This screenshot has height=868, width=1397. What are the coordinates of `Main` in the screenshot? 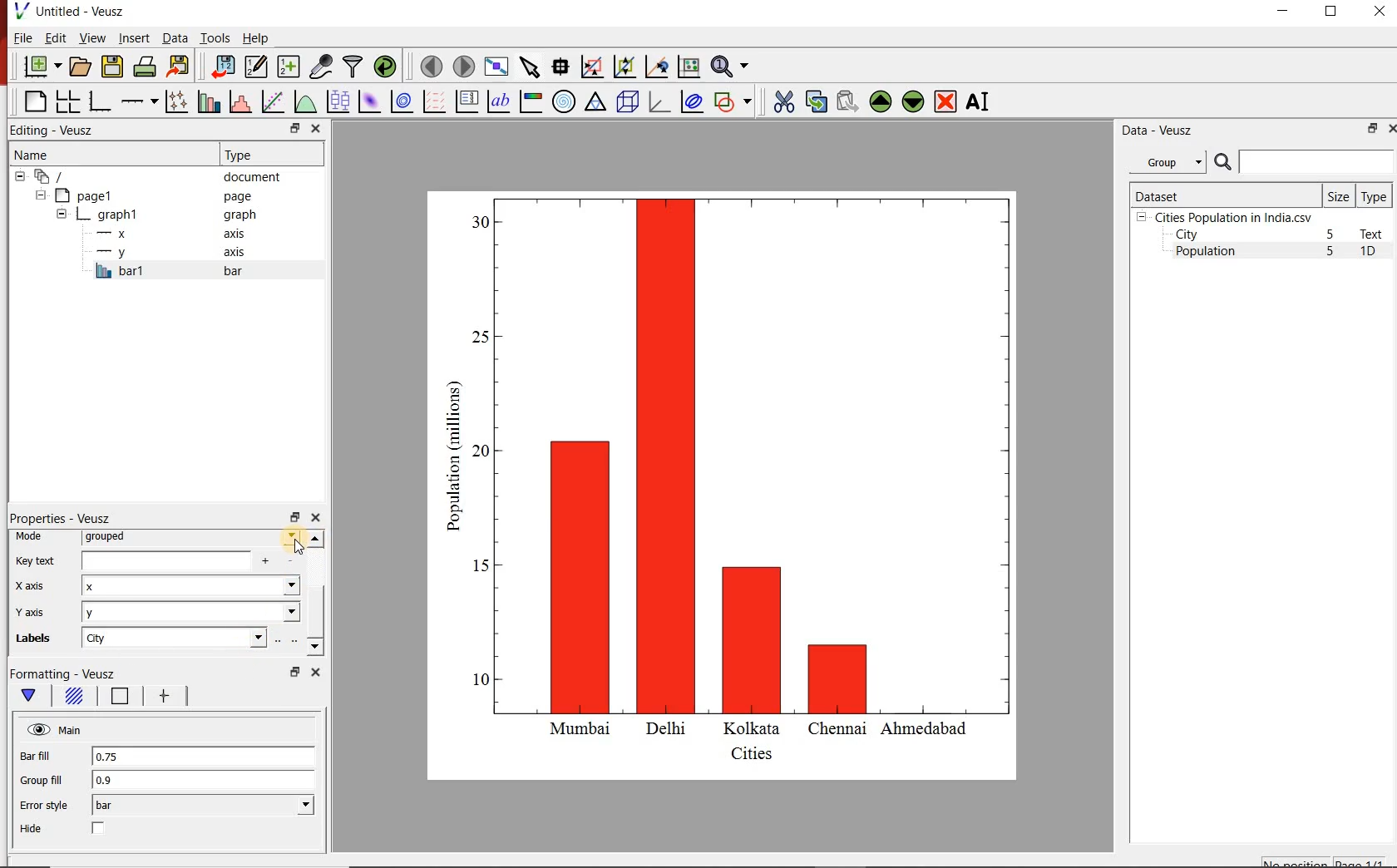 It's located at (56, 730).